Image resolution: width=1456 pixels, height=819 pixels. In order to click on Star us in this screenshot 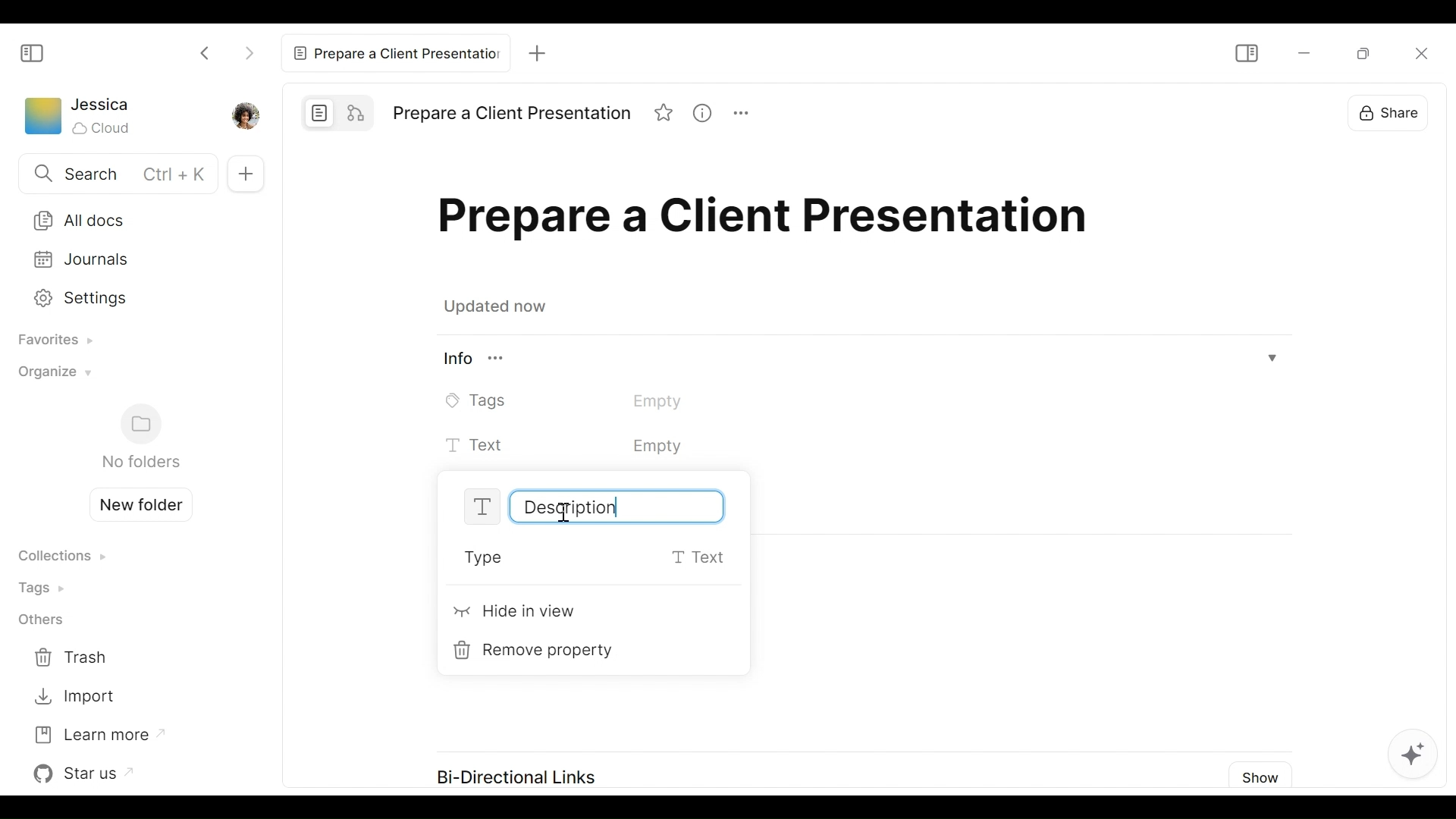, I will do `click(87, 773)`.